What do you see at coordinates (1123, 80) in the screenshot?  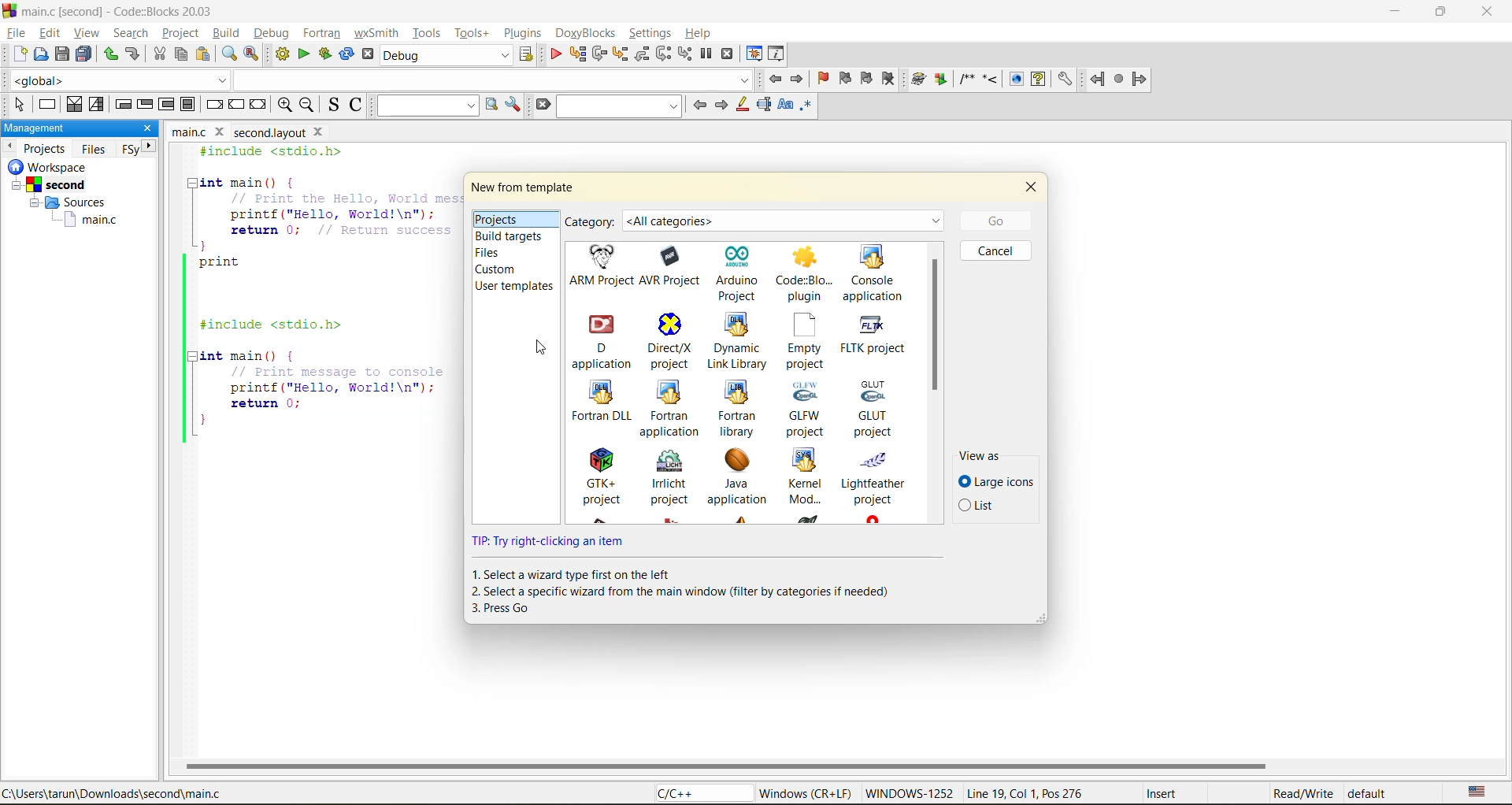 I see `fortran reference` at bounding box center [1123, 80].